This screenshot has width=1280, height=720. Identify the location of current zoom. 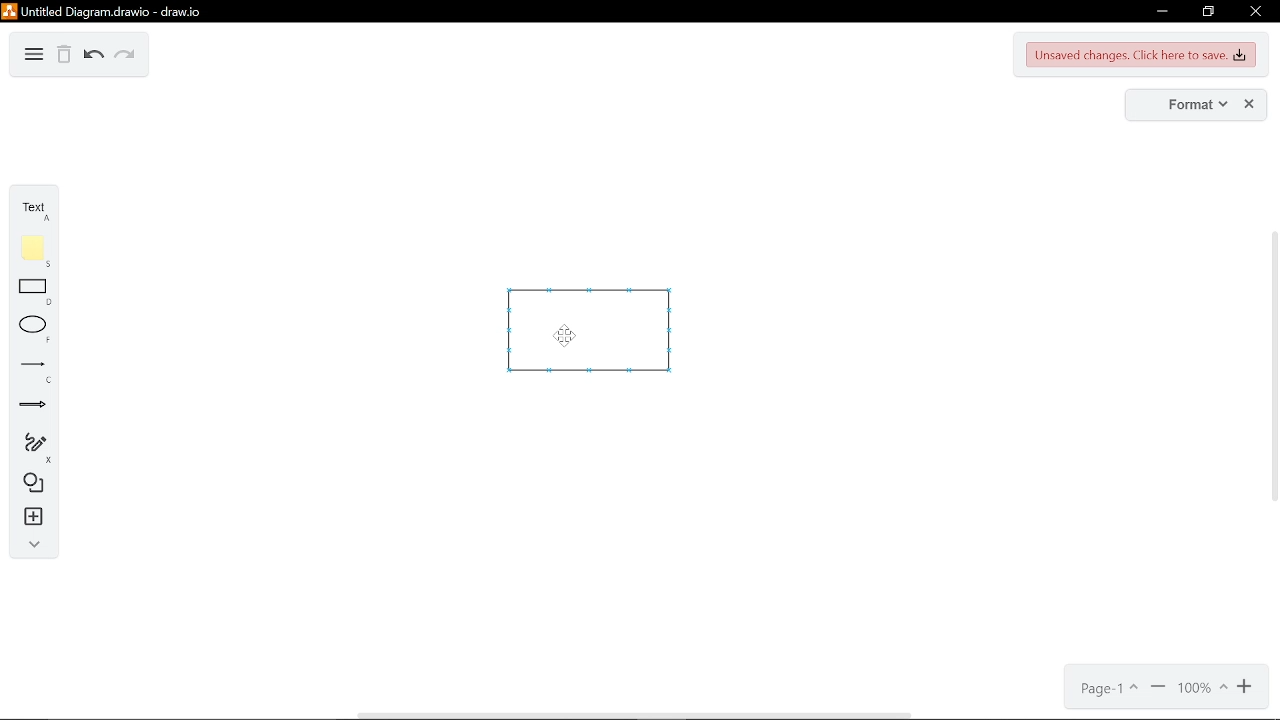
(1201, 688).